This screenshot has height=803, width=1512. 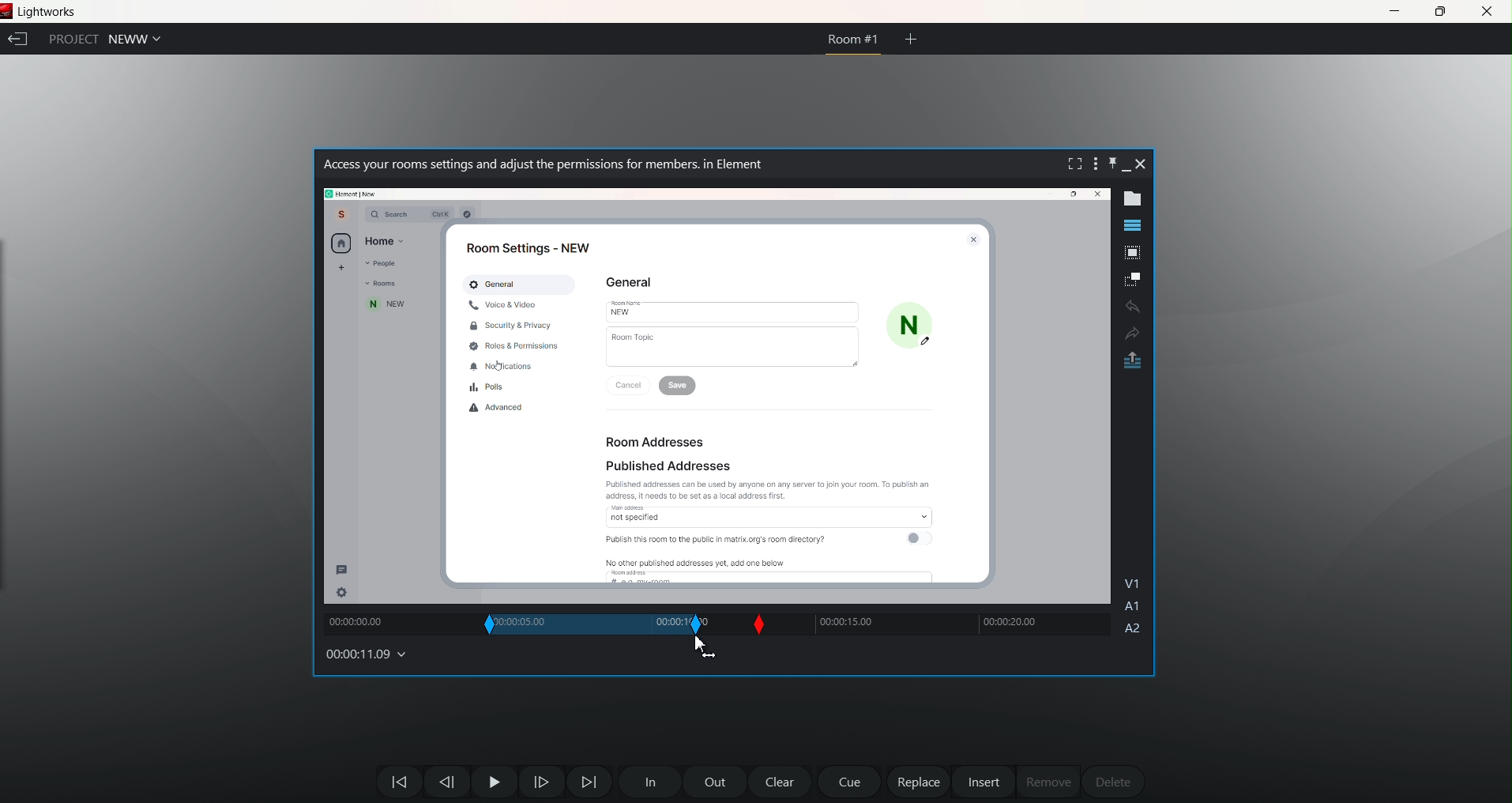 I want to click on Published Addresses, so click(x=666, y=465).